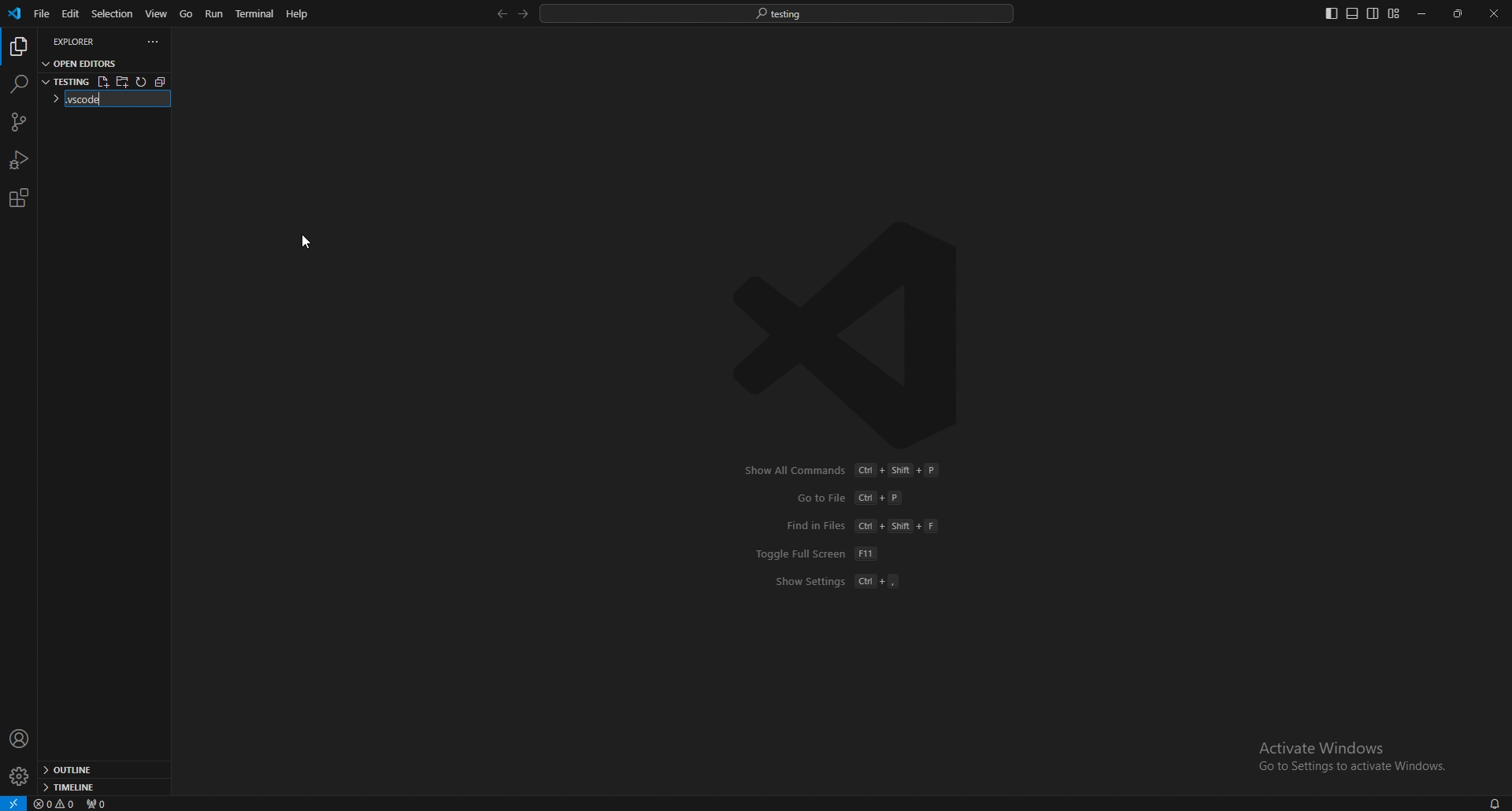 This screenshot has height=811, width=1512. I want to click on source code, so click(17, 123).